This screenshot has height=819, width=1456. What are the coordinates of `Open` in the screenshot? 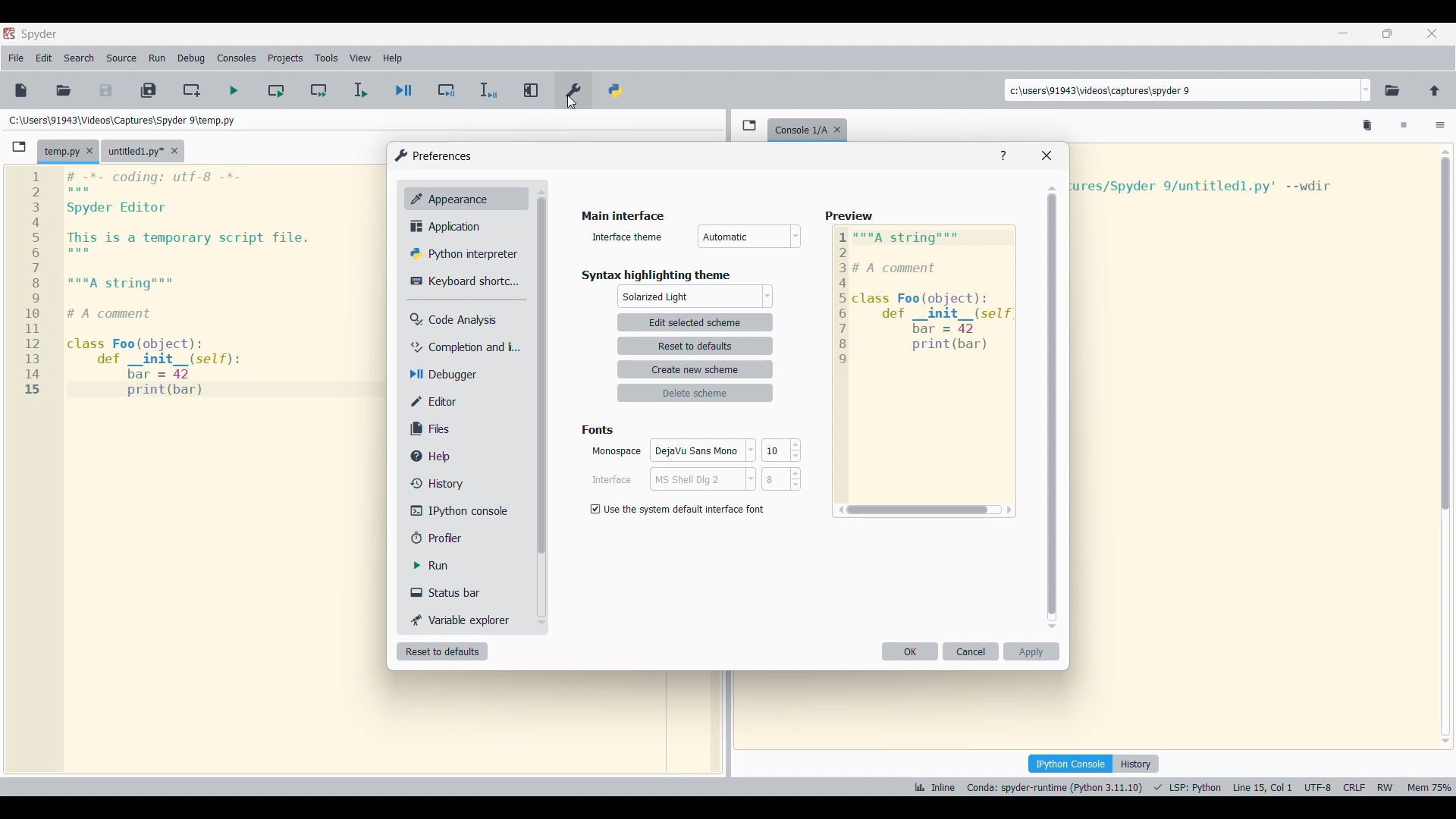 It's located at (64, 90).